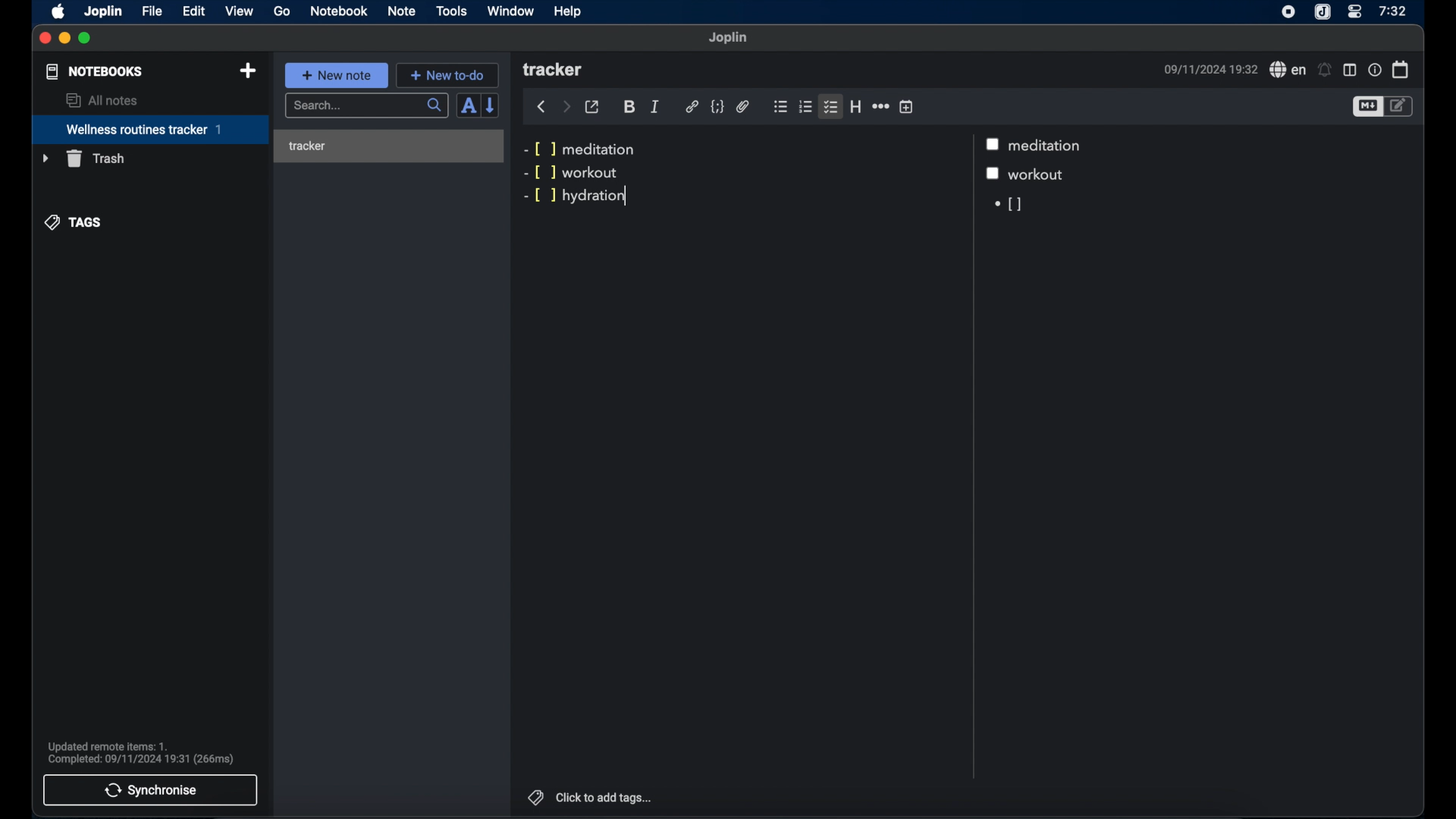  I want to click on meditation, so click(1048, 146).